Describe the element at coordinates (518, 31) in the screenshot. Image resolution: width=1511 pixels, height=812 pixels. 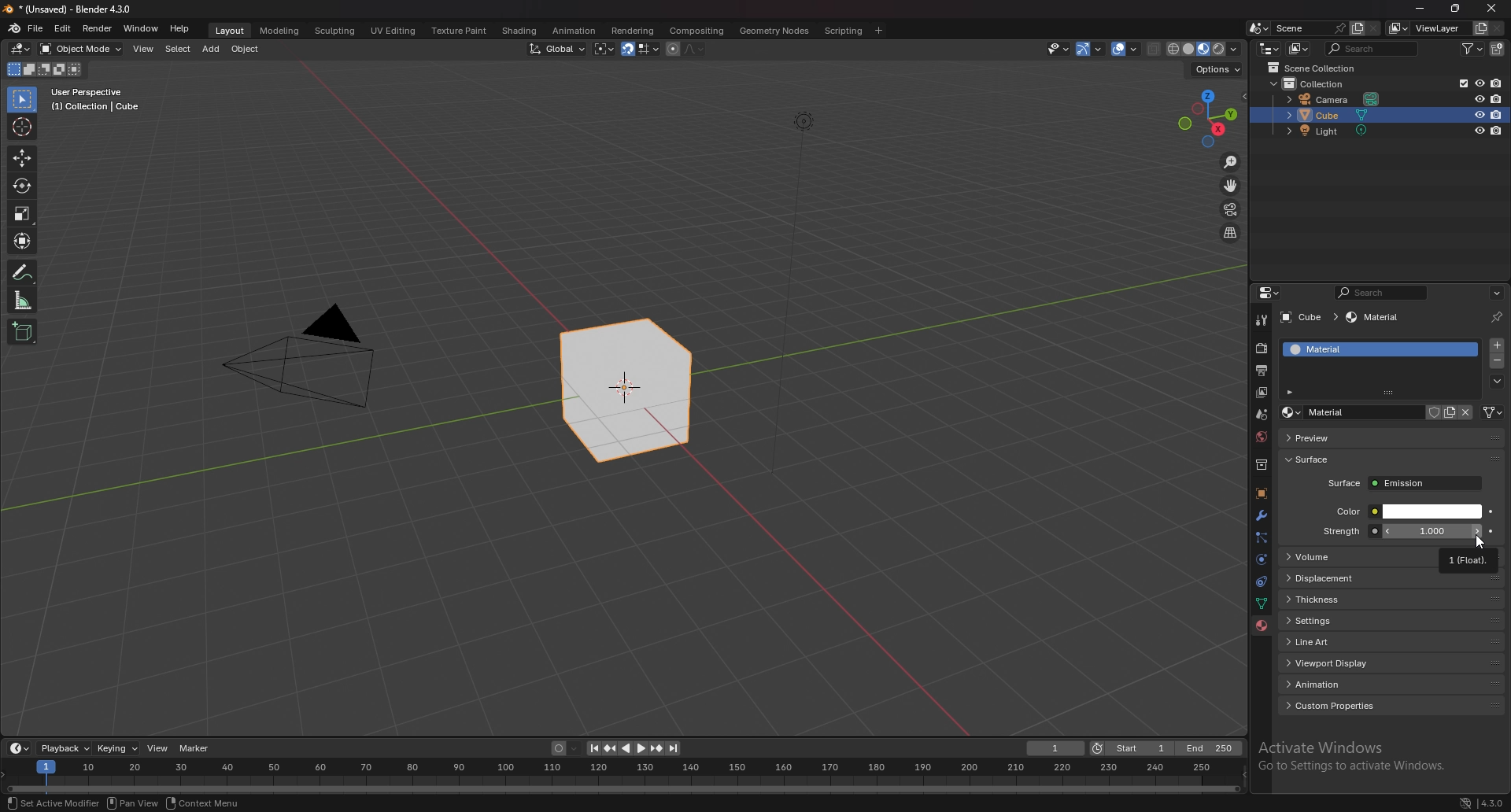
I see `shading` at that location.